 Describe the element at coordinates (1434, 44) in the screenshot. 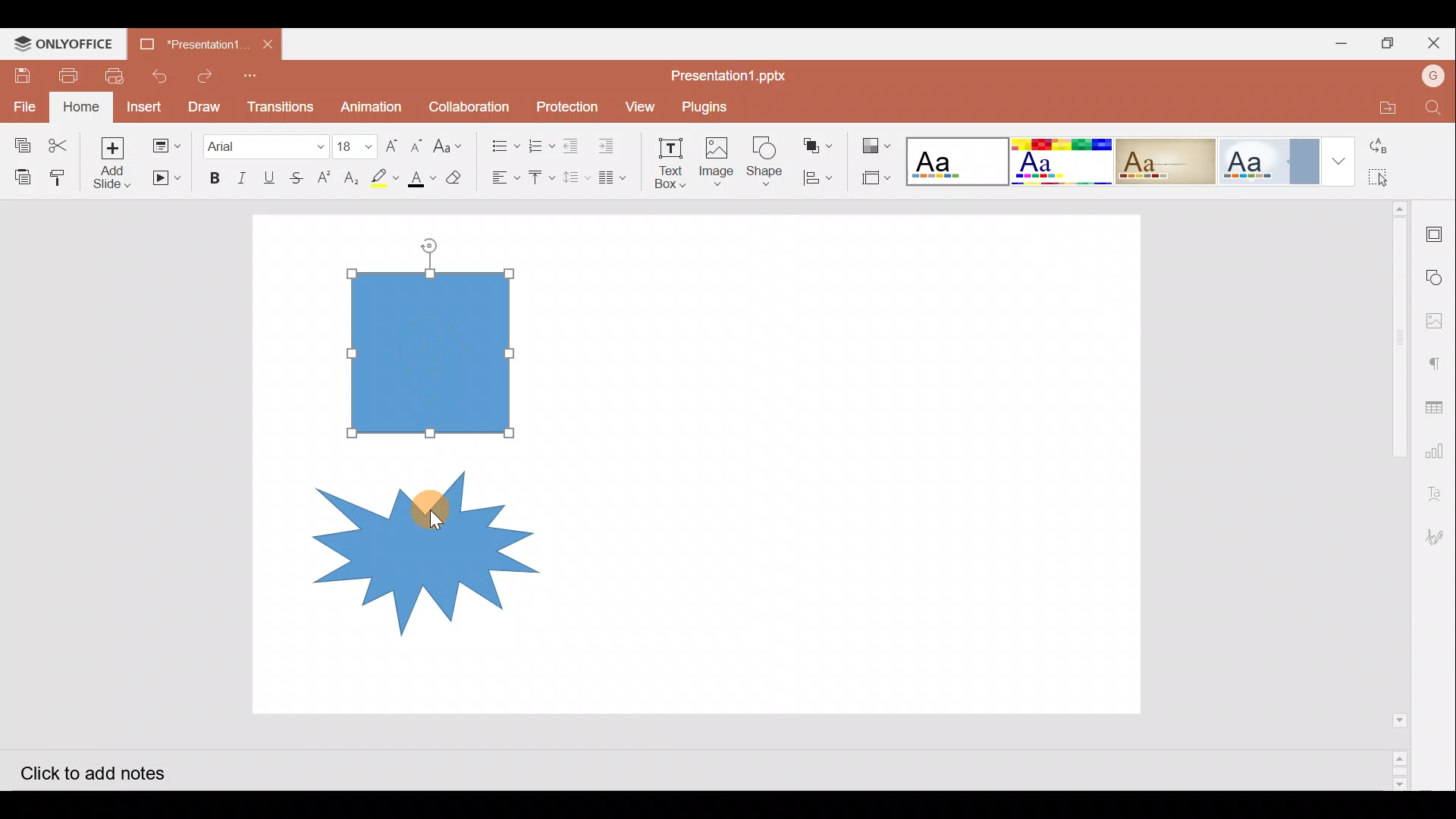

I see `Close` at that location.